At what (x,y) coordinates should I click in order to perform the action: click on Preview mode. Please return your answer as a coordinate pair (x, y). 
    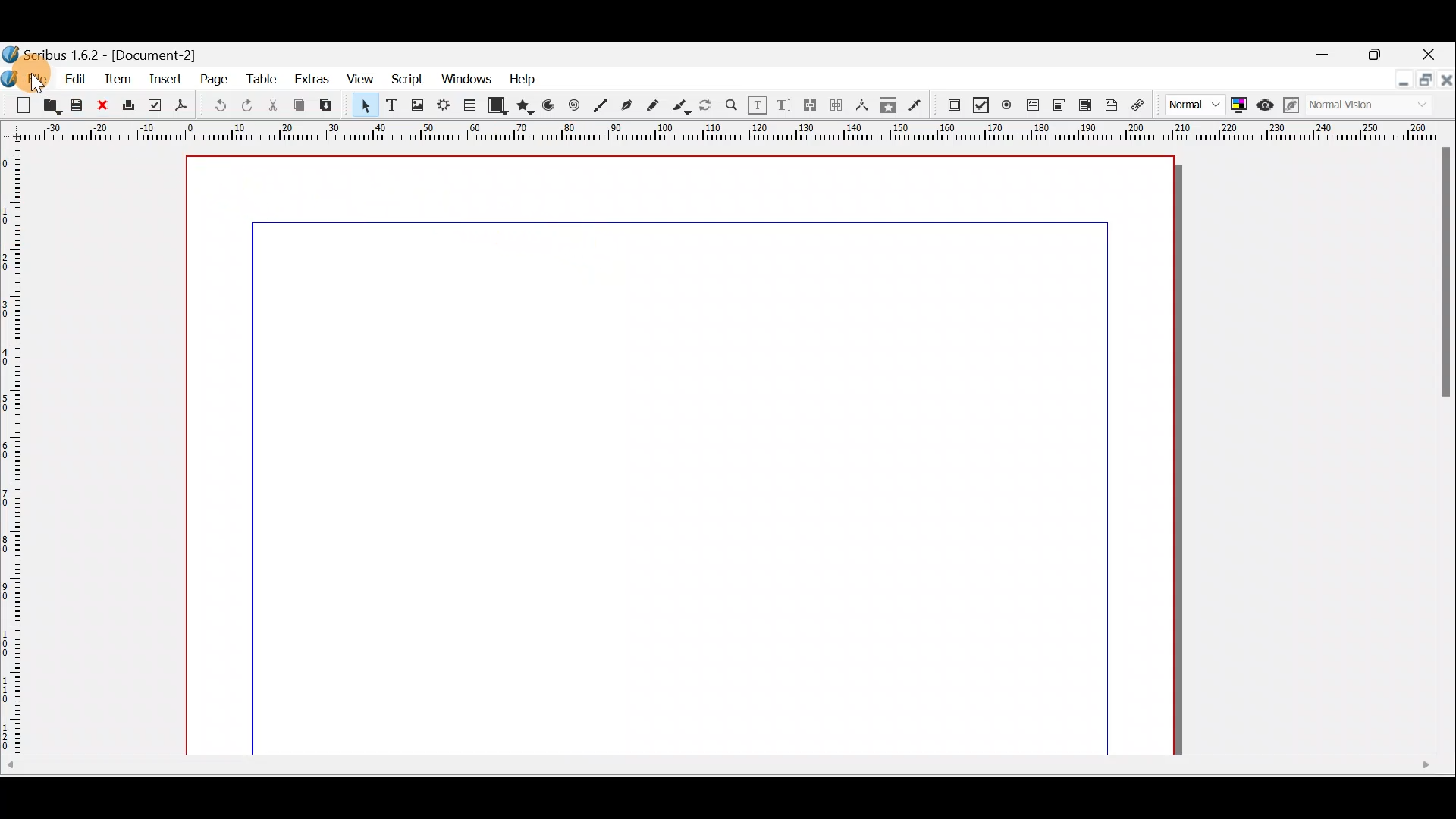
    Looking at the image, I should click on (1266, 106).